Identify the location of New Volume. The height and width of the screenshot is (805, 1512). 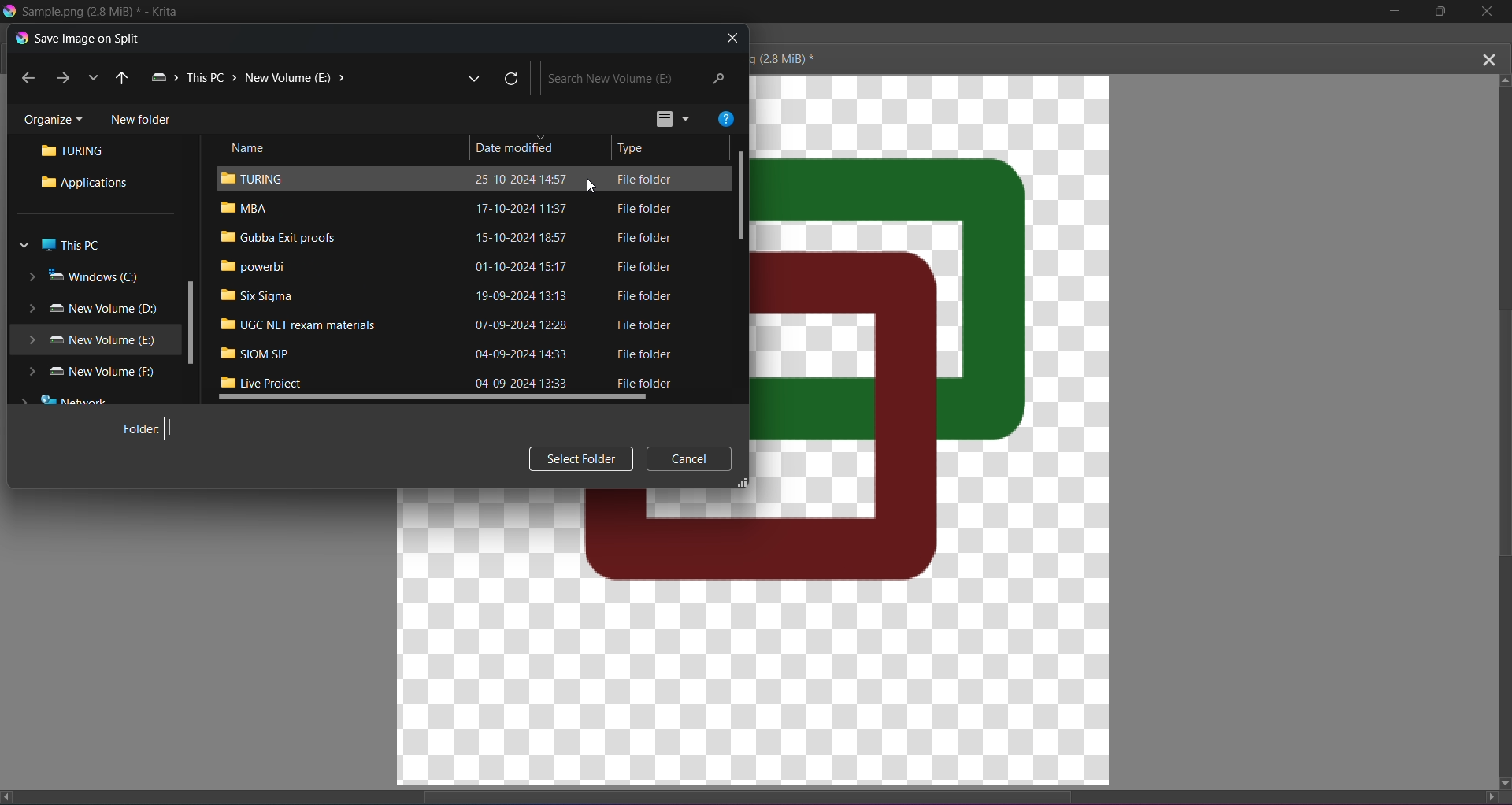
(283, 79).